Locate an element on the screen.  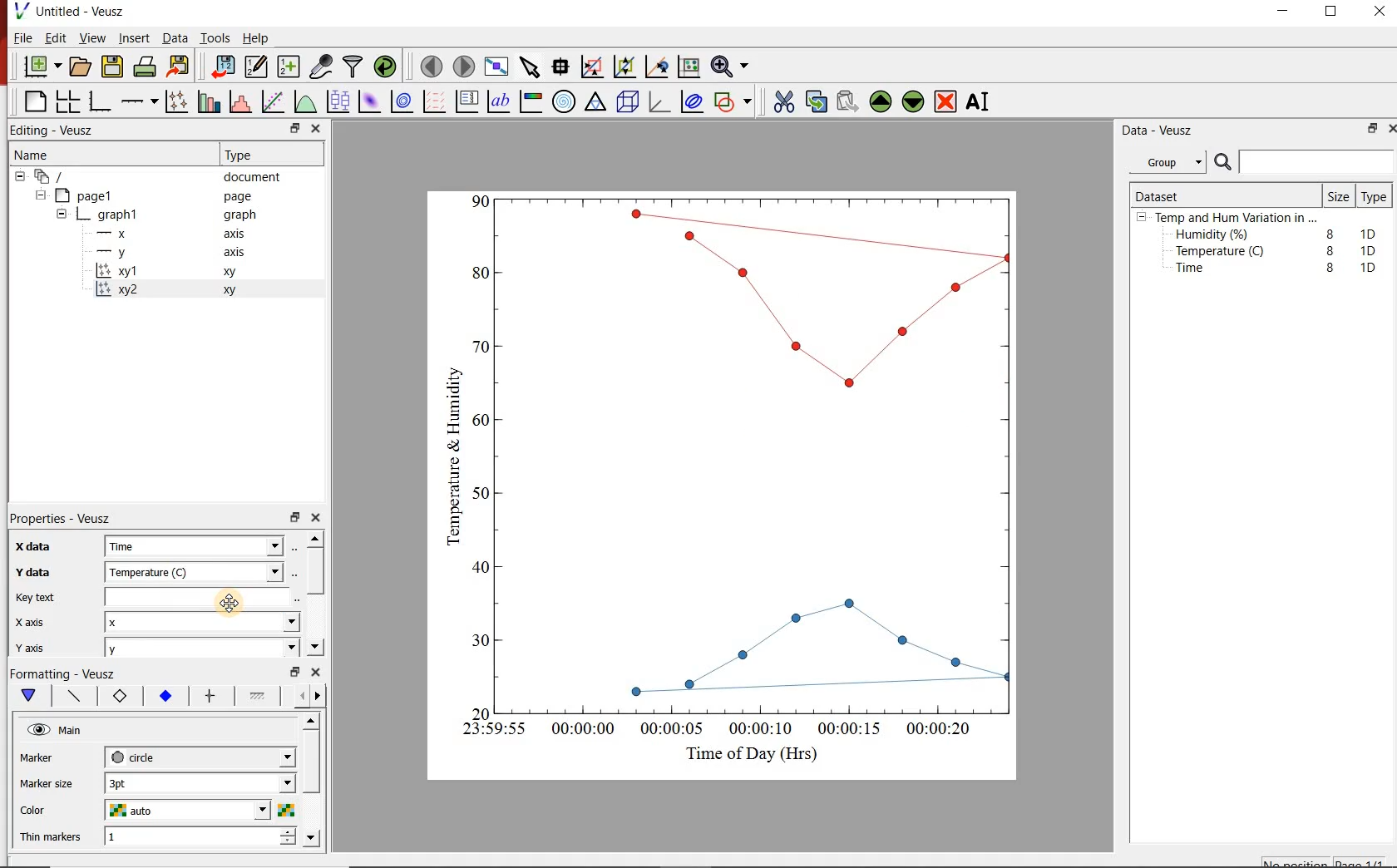
hide sub menu is located at coordinates (18, 179).